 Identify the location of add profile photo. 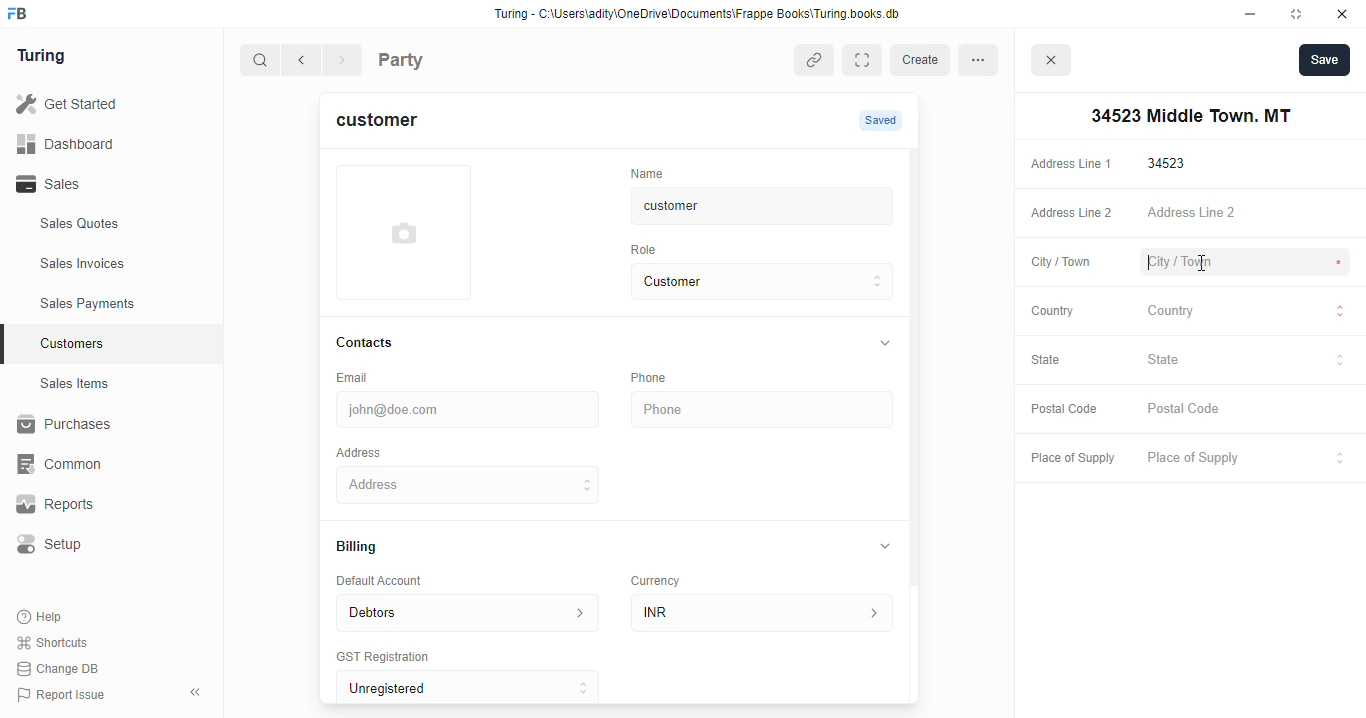
(404, 232).